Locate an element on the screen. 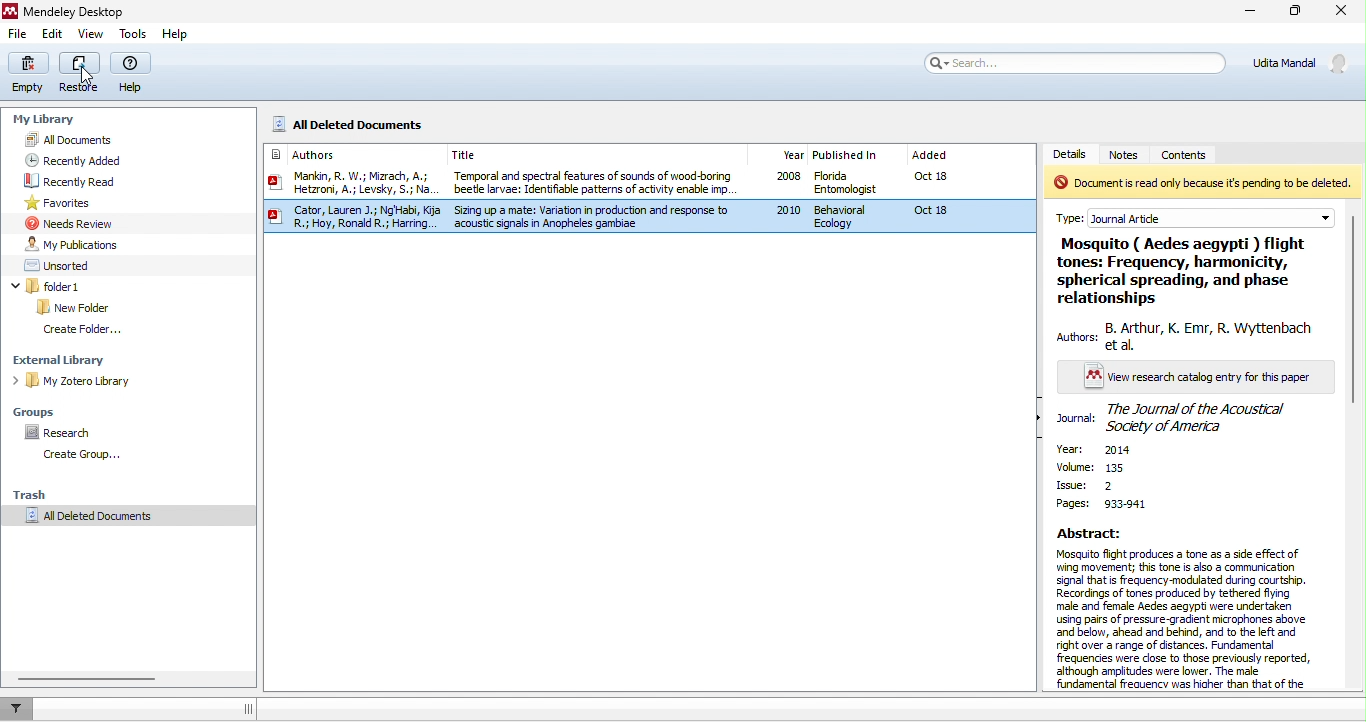  empty is located at coordinates (31, 73).